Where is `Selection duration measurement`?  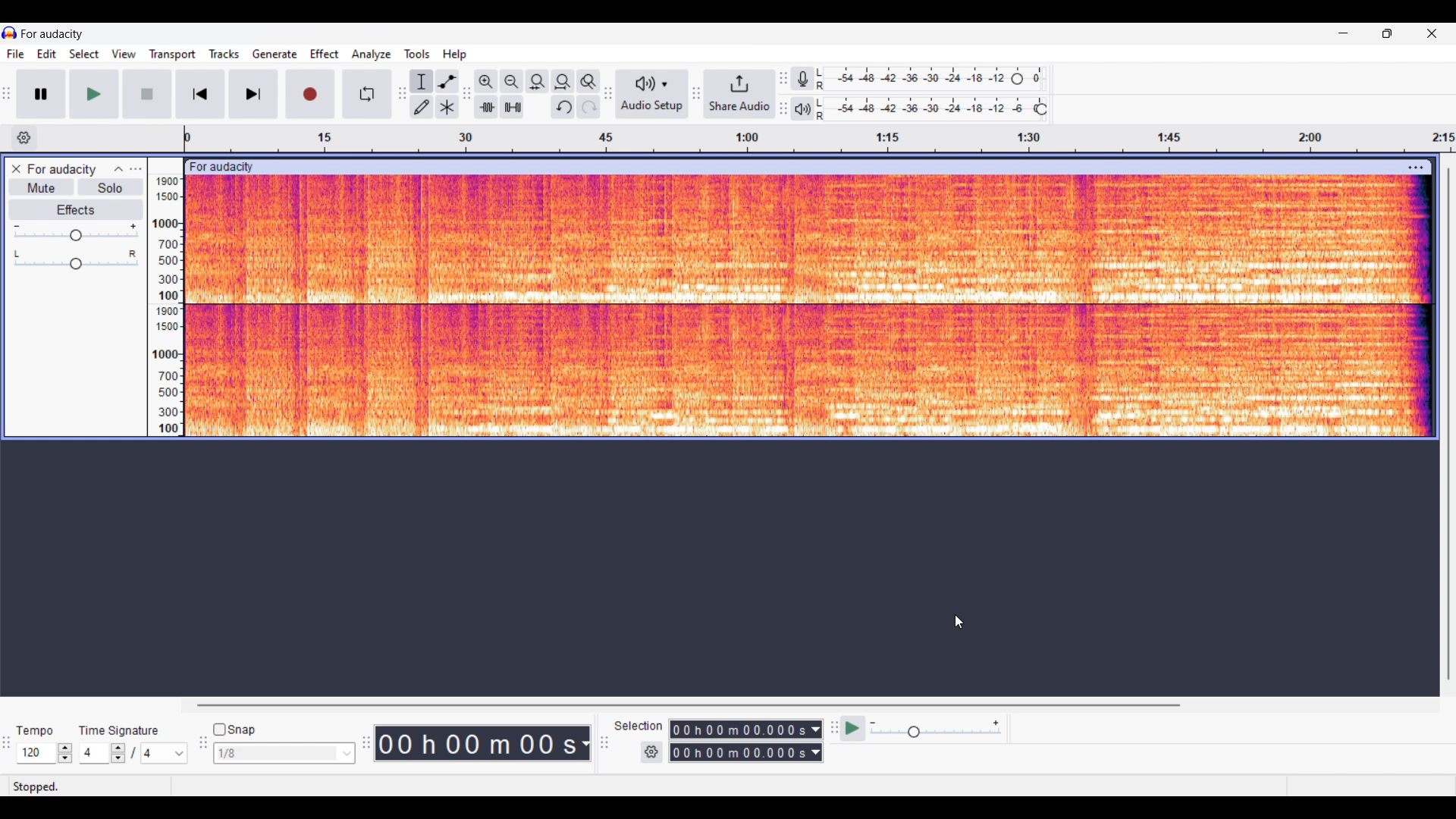
Selection duration measurement is located at coordinates (816, 741).